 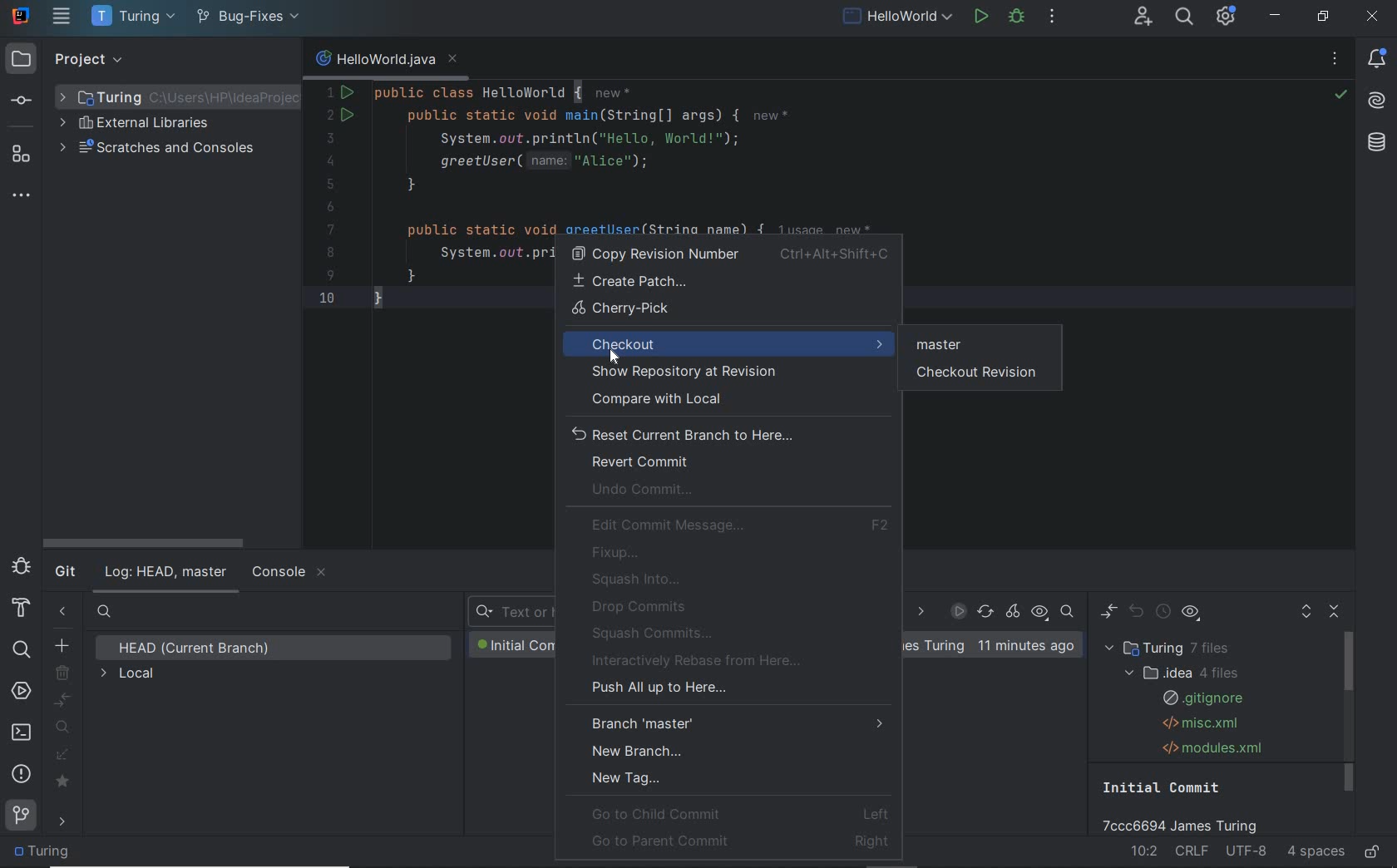 I want to click on .misc.xml, so click(x=1197, y=723).